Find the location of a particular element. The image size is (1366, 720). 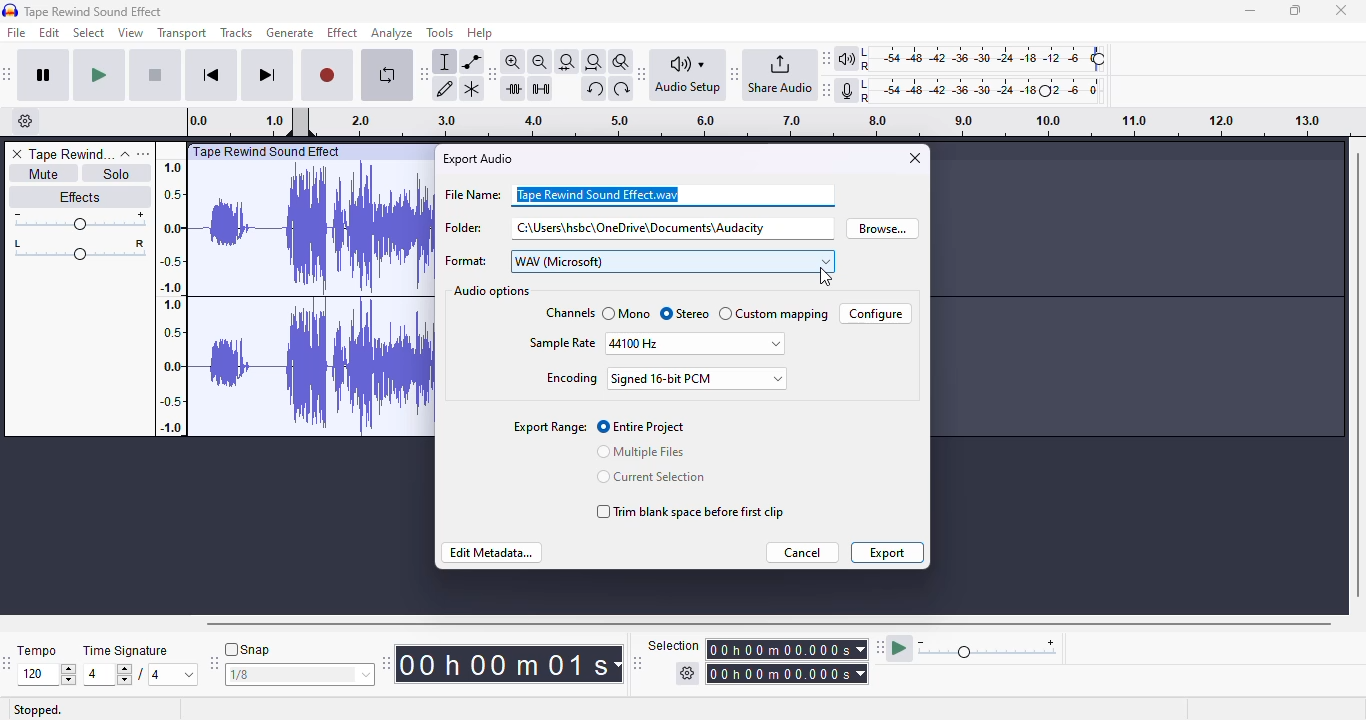

select is located at coordinates (90, 32).